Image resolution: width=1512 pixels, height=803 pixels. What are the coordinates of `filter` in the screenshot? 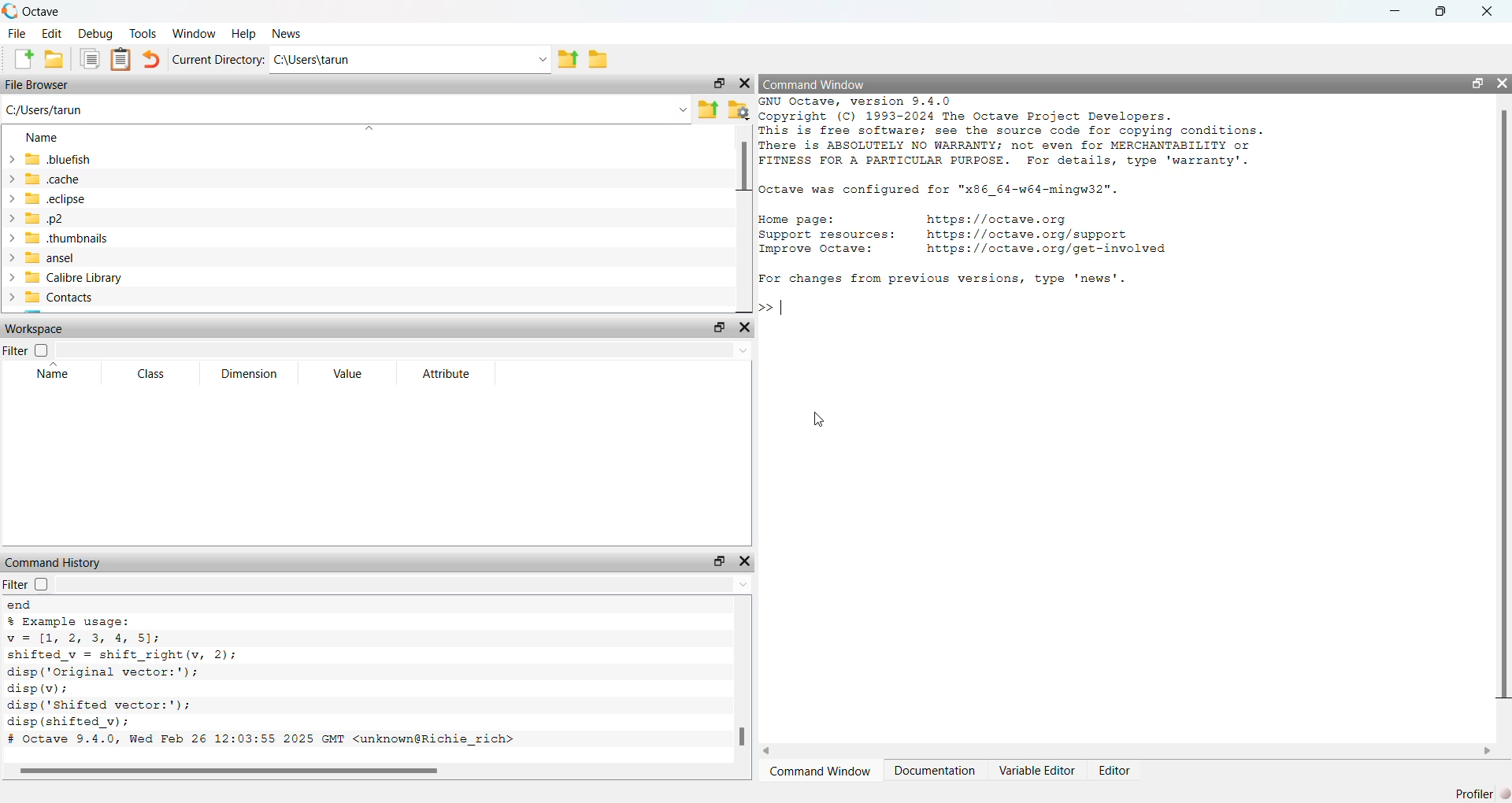 It's located at (28, 587).